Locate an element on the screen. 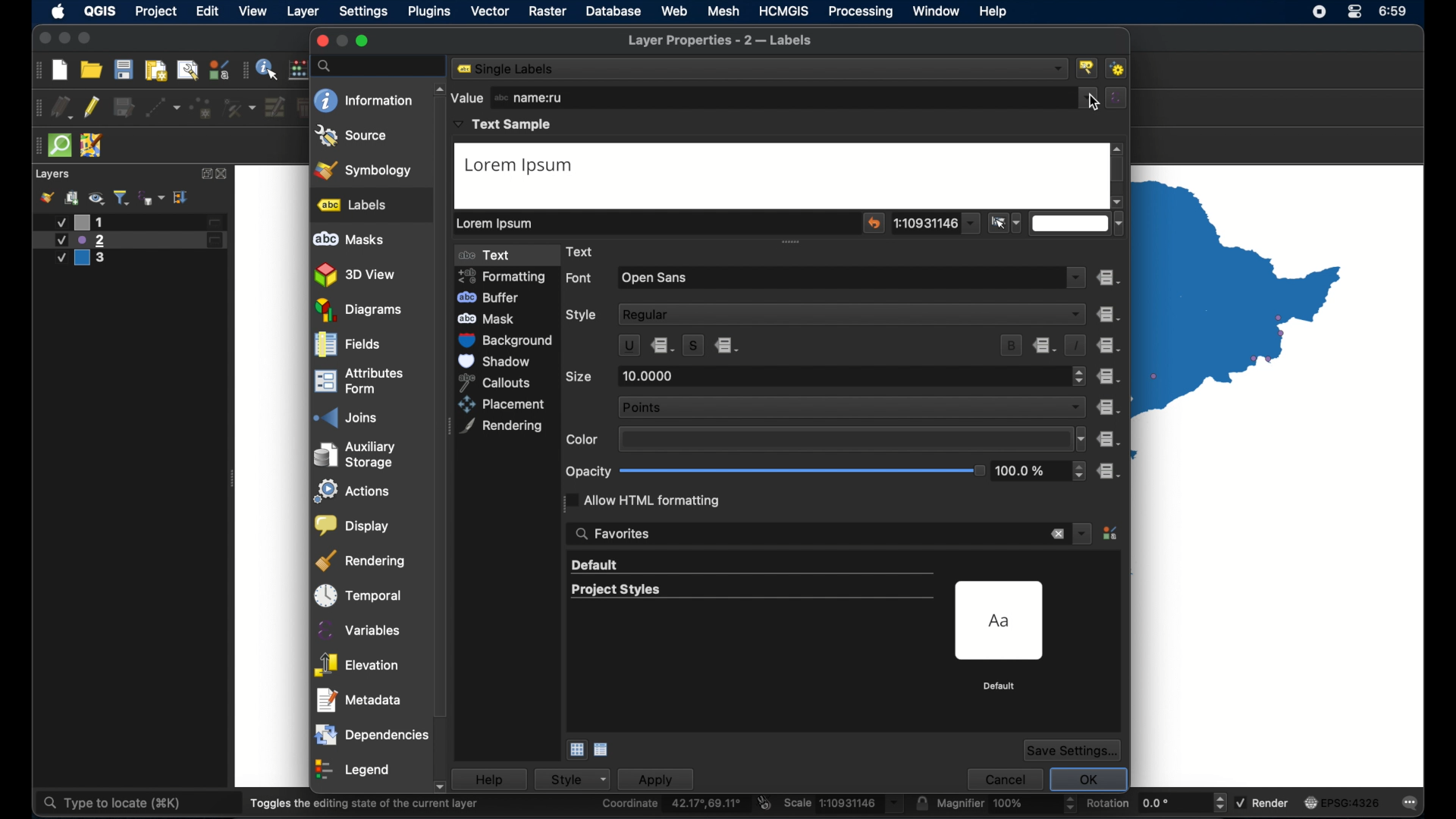  auxilliary storage is located at coordinates (359, 450).